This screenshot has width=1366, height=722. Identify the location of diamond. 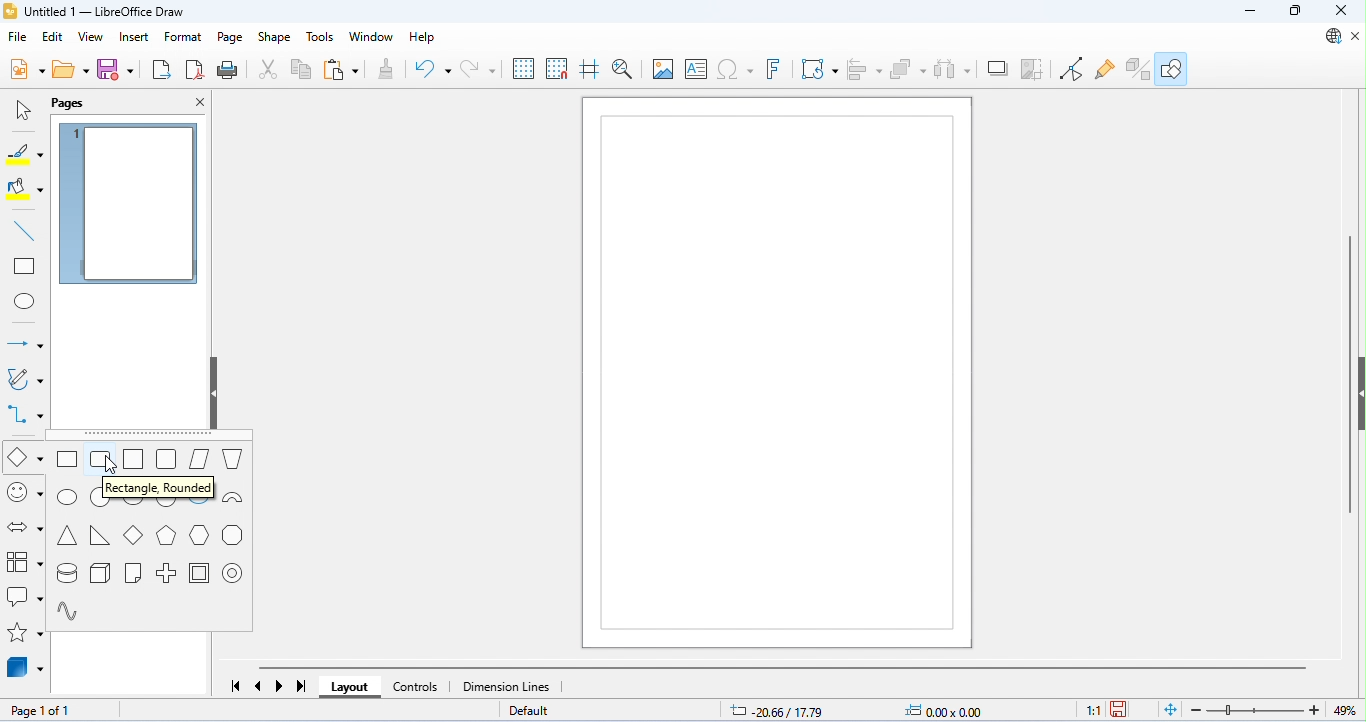
(134, 534).